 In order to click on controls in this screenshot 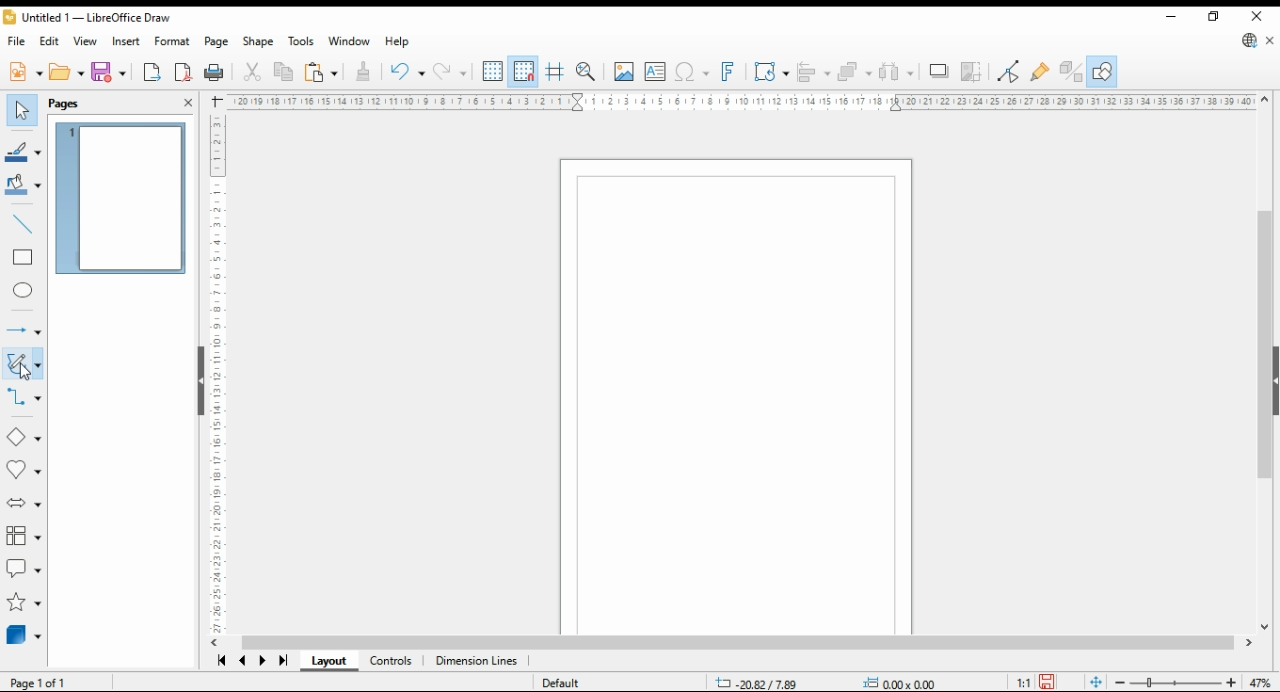, I will do `click(392, 661)`.